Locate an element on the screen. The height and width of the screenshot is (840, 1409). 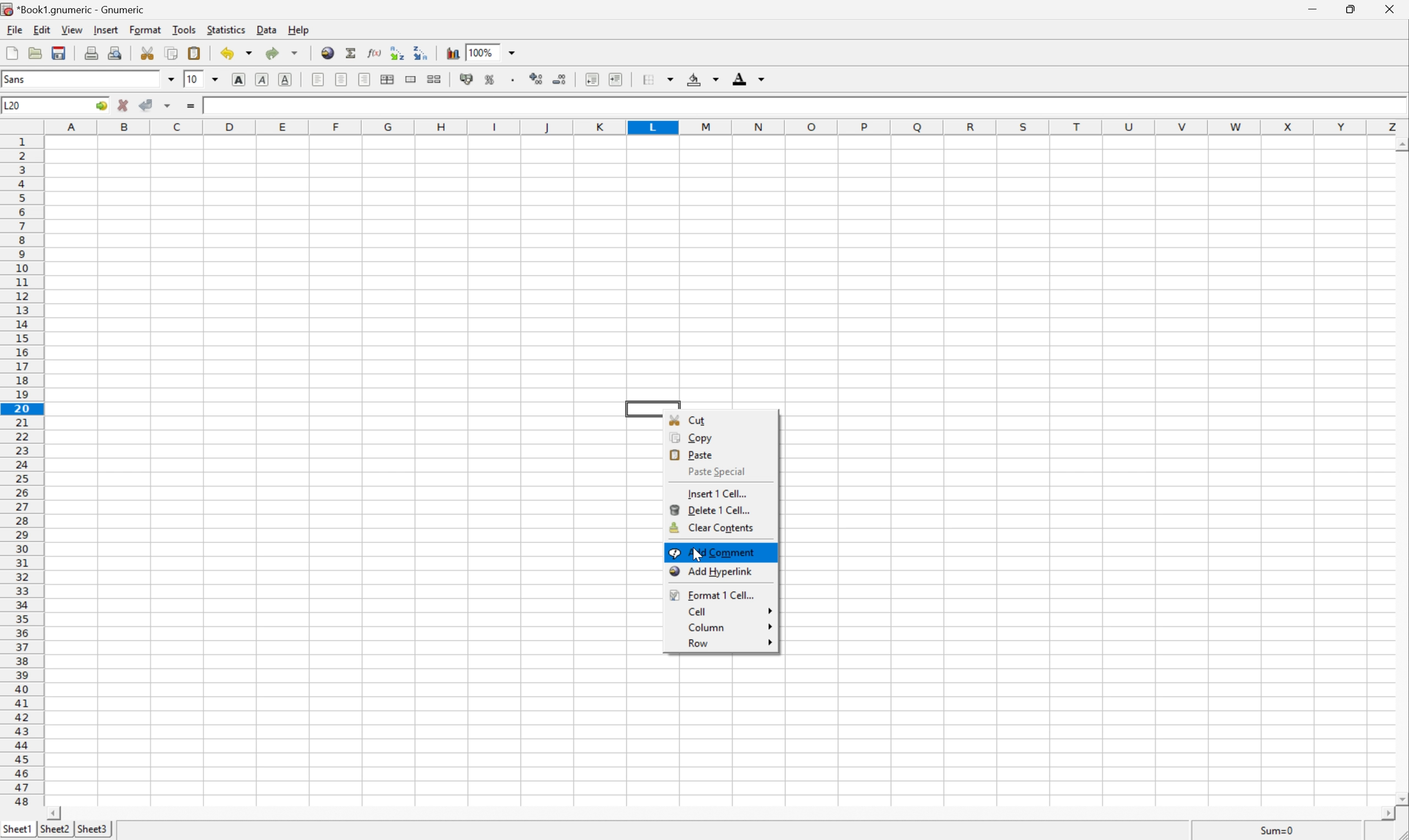
Bold is located at coordinates (237, 79).